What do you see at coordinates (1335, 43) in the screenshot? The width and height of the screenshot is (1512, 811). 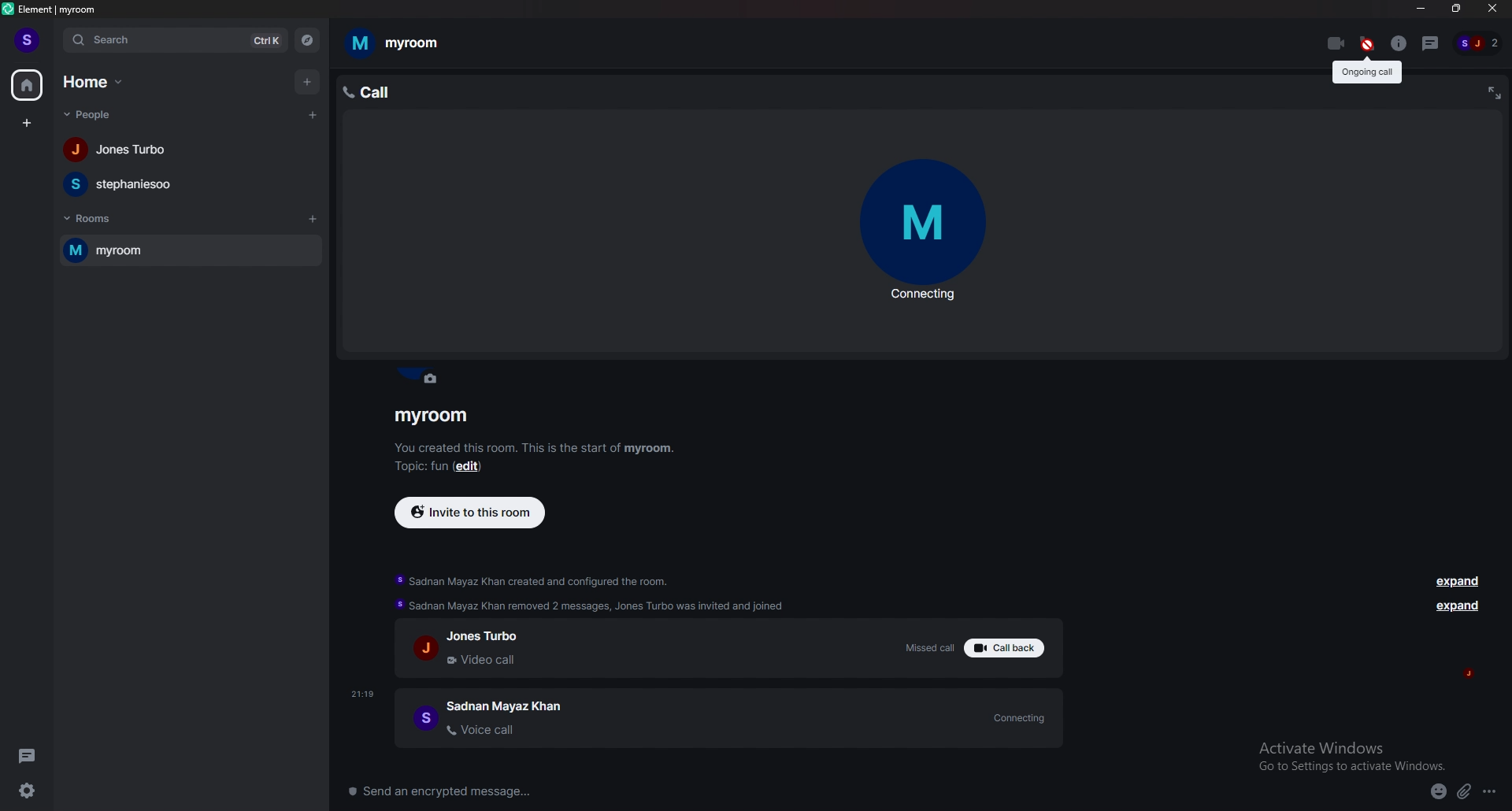 I see `video call` at bounding box center [1335, 43].